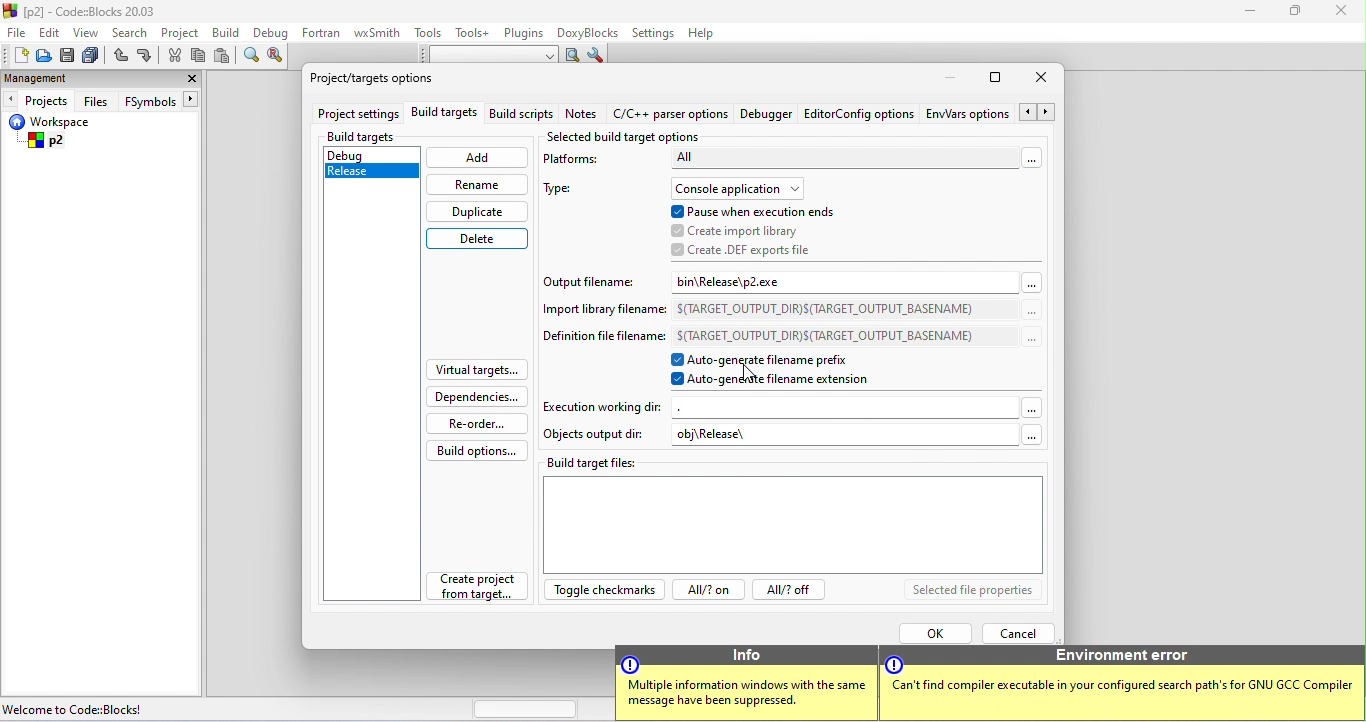 The height and width of the screenshot is (722, 1366). What do you see at coordinates (781, 382) in the screenshot?
I see `auto generate filename extension` at bounding box center [781, 382].